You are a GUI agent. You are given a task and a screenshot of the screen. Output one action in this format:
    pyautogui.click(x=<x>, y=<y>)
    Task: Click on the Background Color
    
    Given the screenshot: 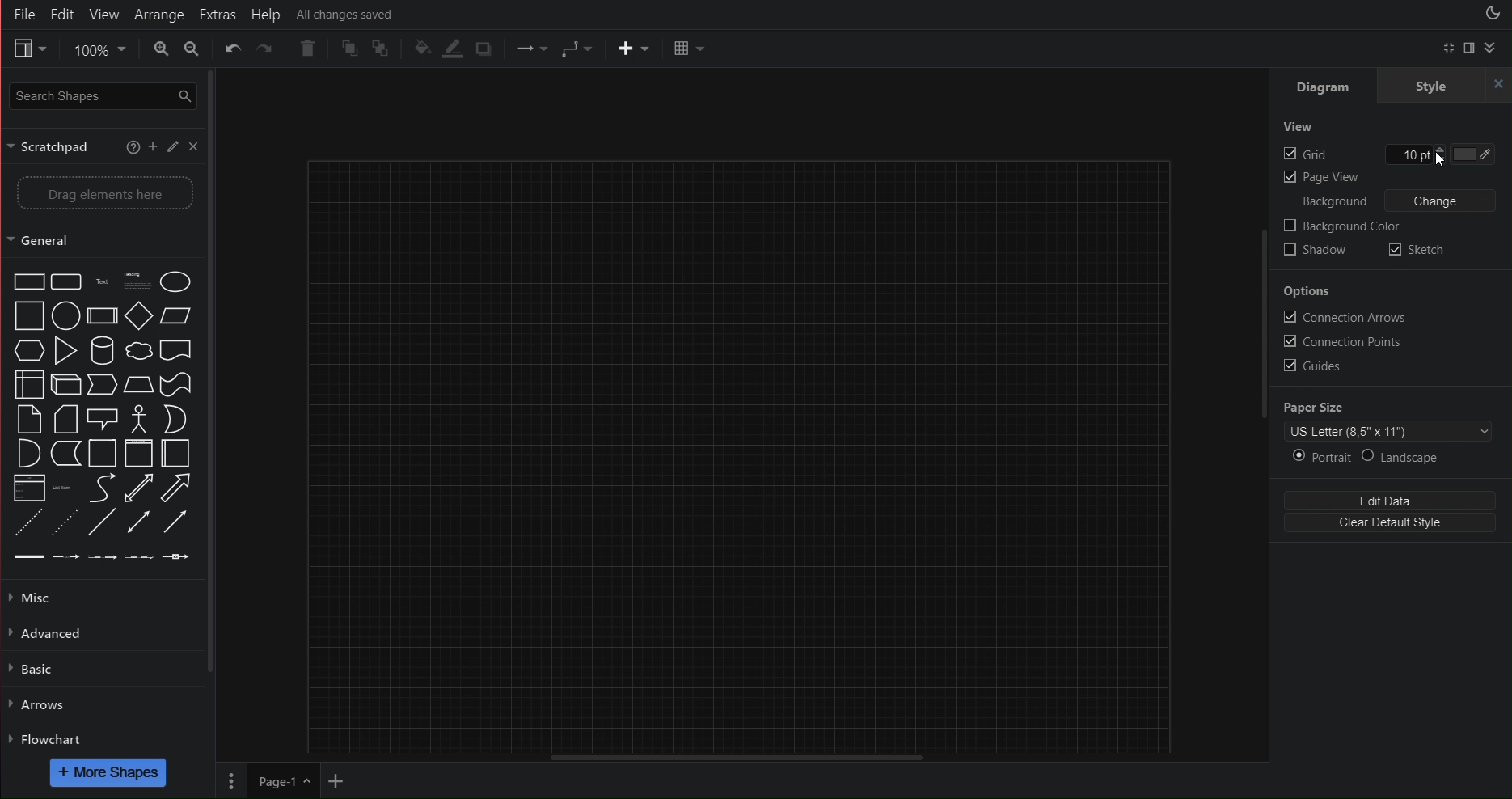 What is the action you would take?
    pyautogui.click(x=1341, y=227)
    